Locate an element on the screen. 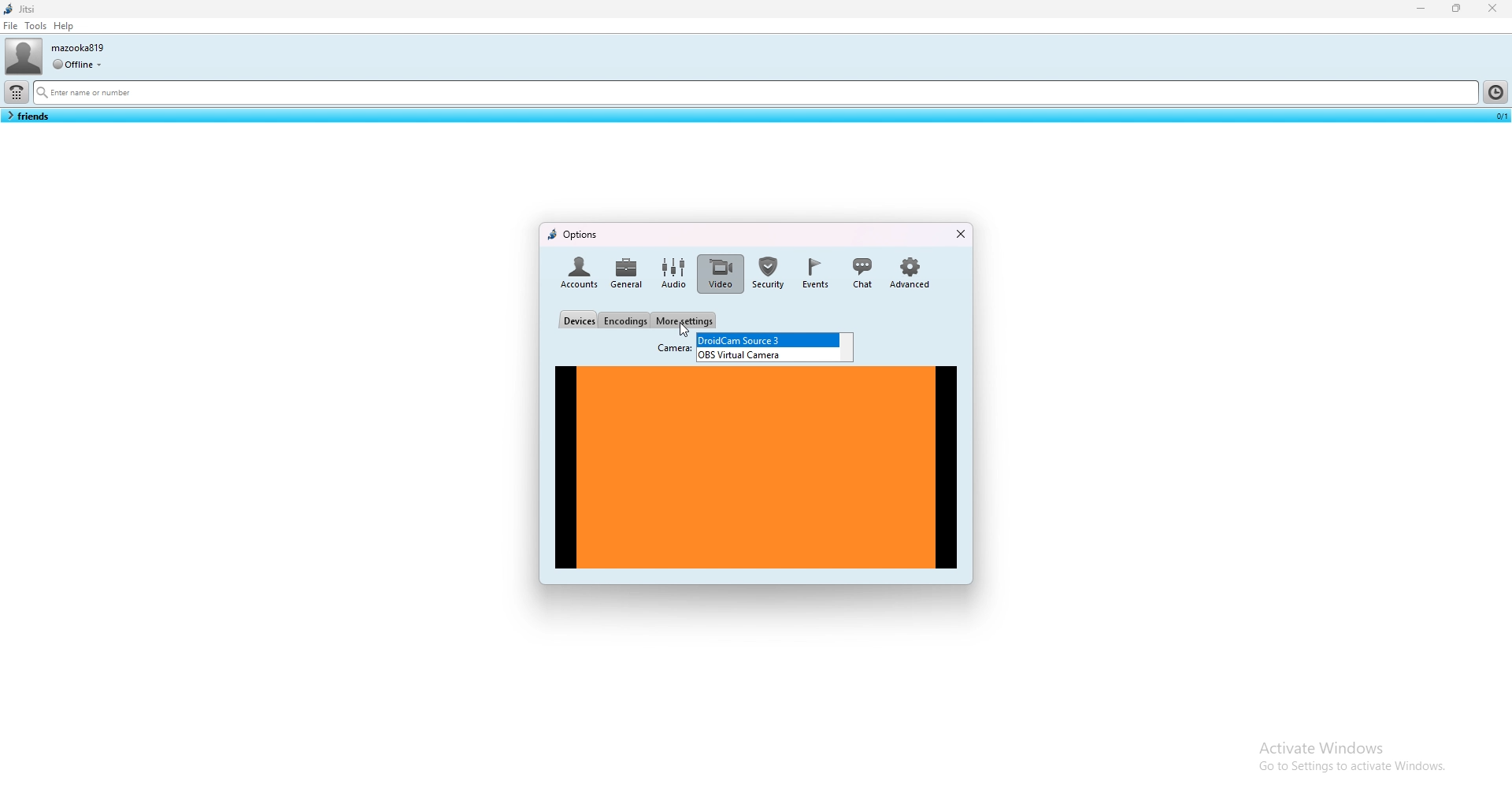 The image size is (1512, 811). dialpad is located at coordinates (17, 92).